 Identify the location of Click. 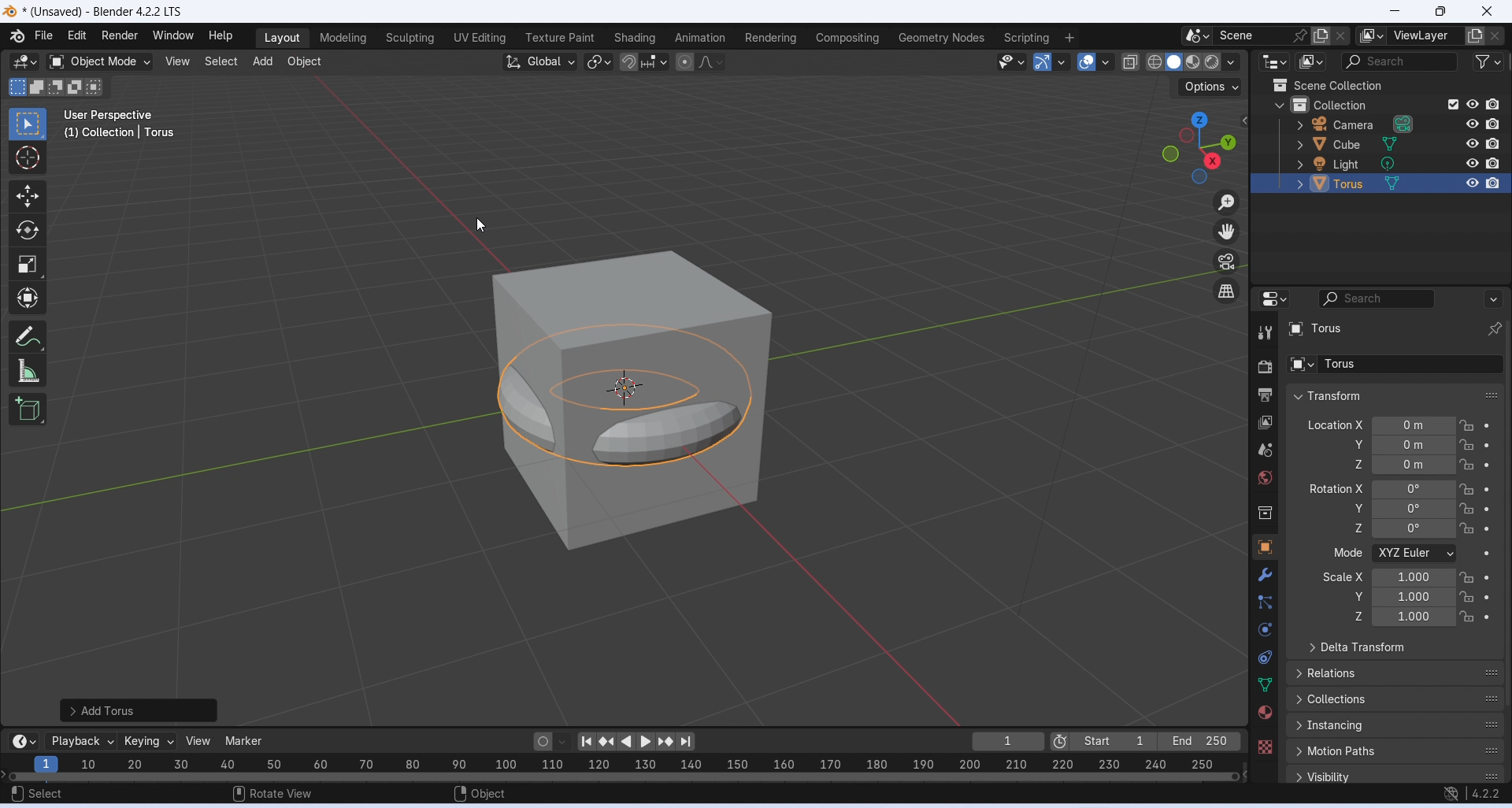
(1200, 147).